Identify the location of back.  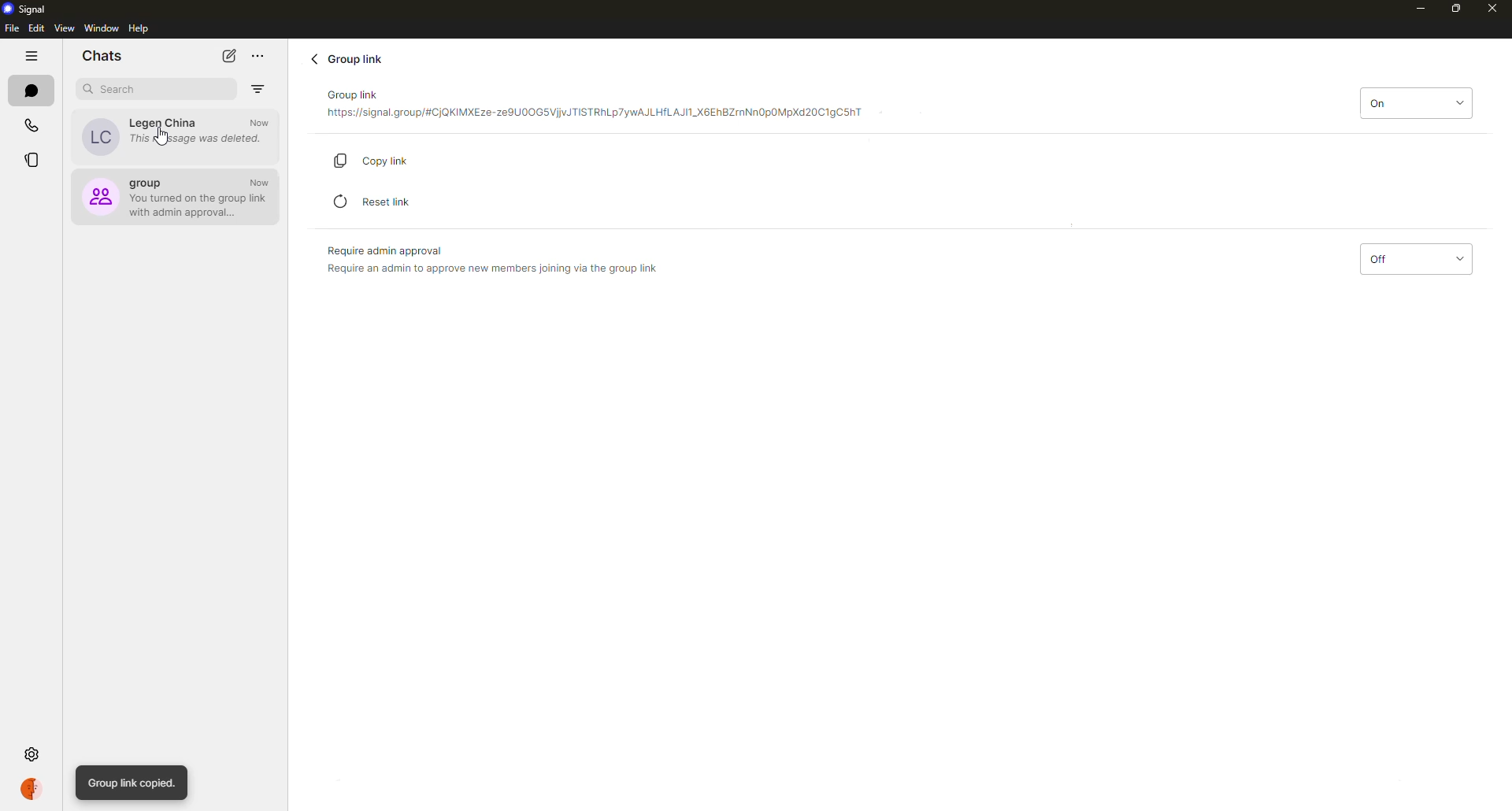
(314, 58).